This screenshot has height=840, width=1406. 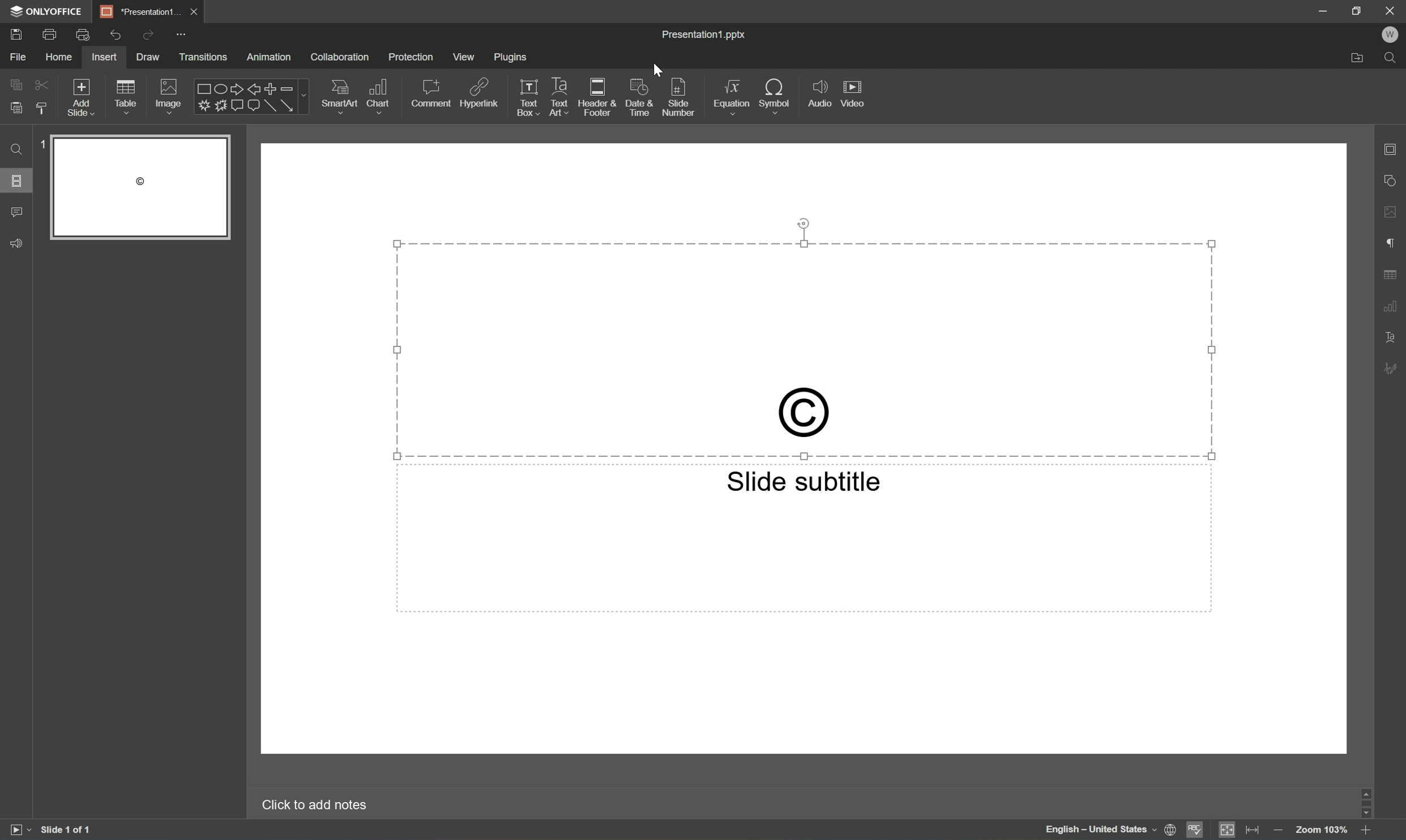 What do you see at coordinates (659, 70) in the screenshot?
I see `Cursor` at bounding box center [659, 70].